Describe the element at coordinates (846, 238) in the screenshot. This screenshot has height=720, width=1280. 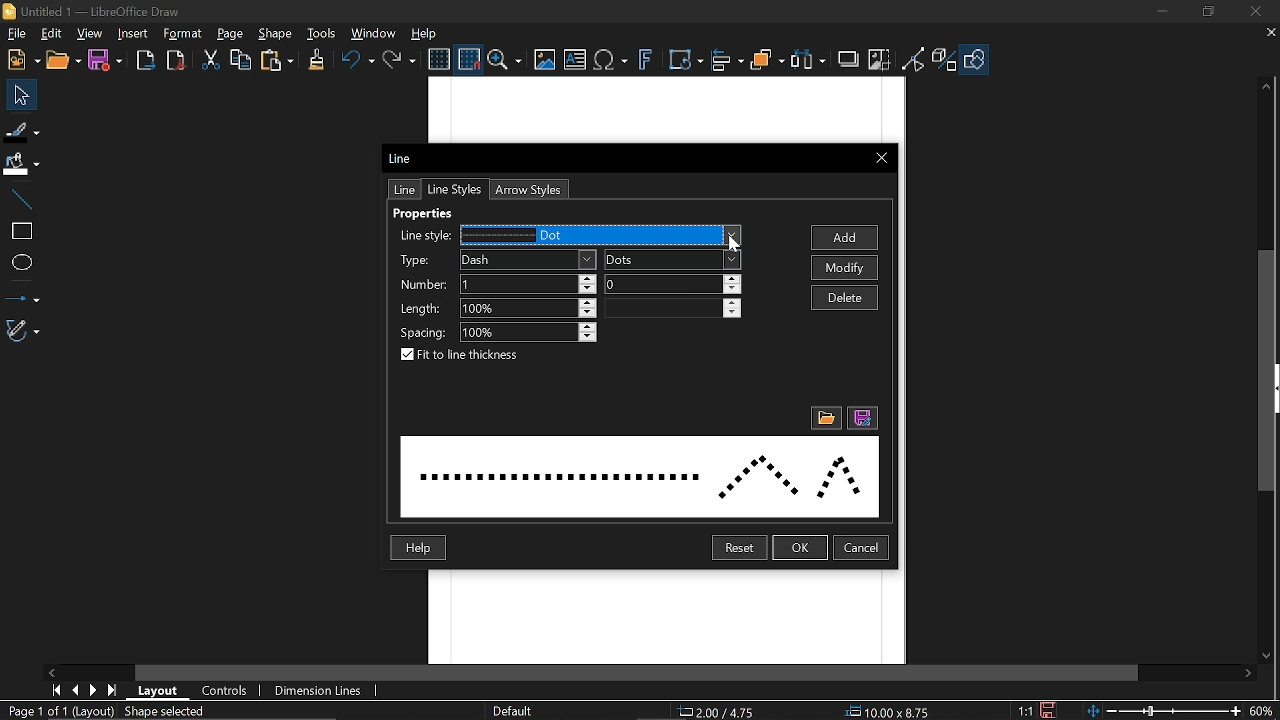
I see `Add` at that location.